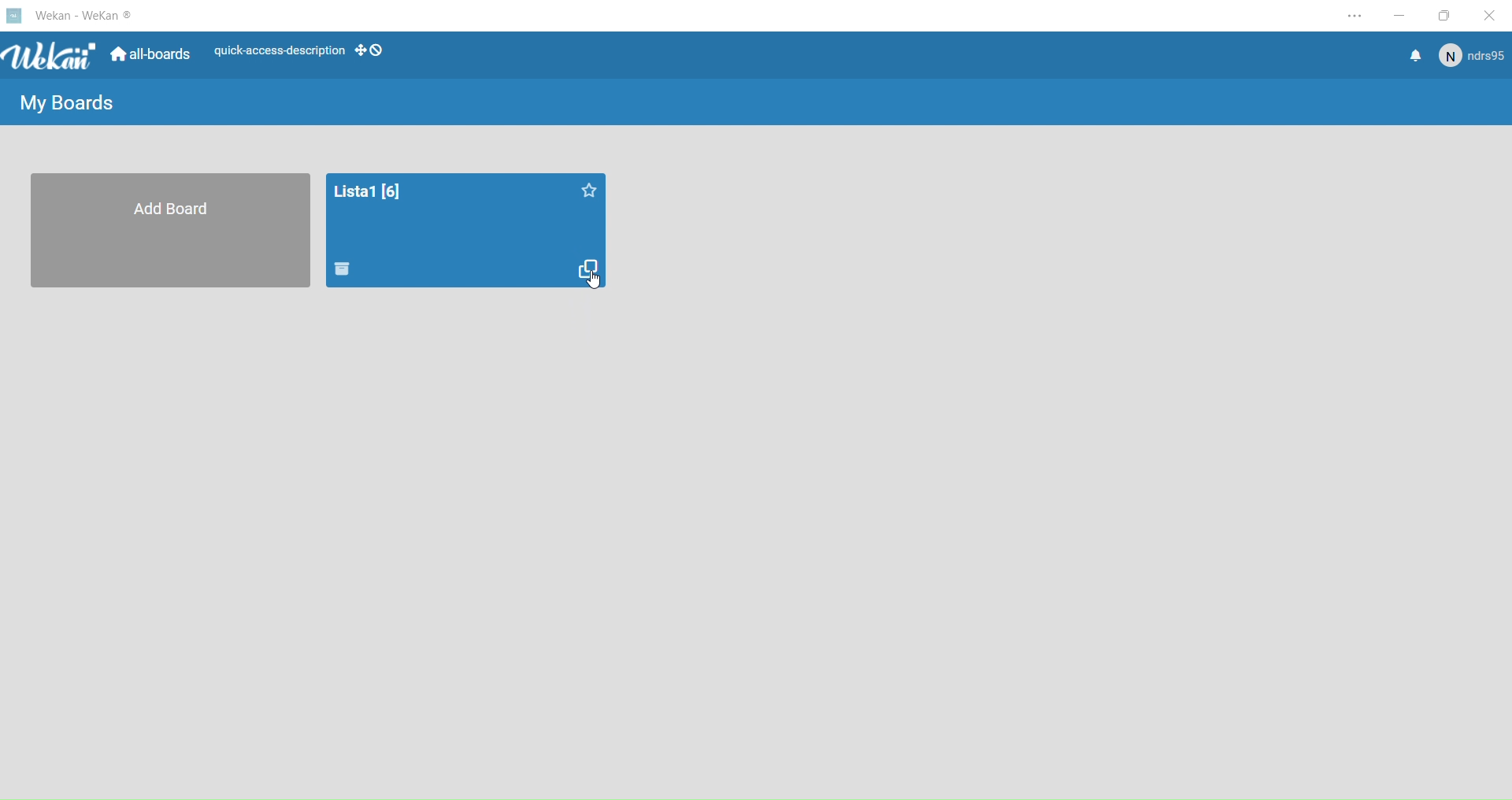 The width and height of the screenshot is (1512, 800). What do you see at coordinates (1469, 54) in the screenshot?
I see `User` at bounding box center [1469, 54].